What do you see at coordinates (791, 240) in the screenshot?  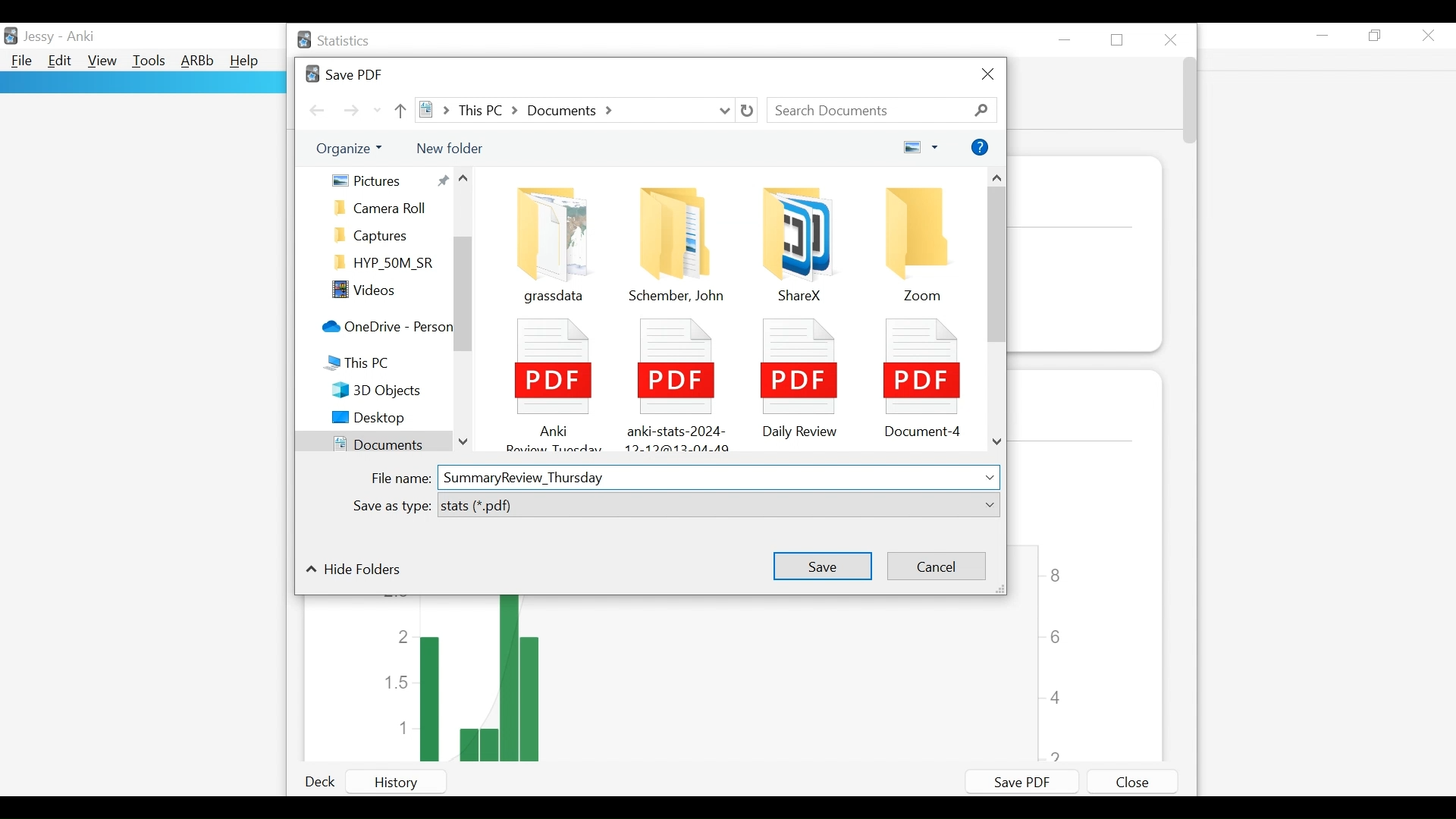 I see `Folder` at bounding box center [791, 240].